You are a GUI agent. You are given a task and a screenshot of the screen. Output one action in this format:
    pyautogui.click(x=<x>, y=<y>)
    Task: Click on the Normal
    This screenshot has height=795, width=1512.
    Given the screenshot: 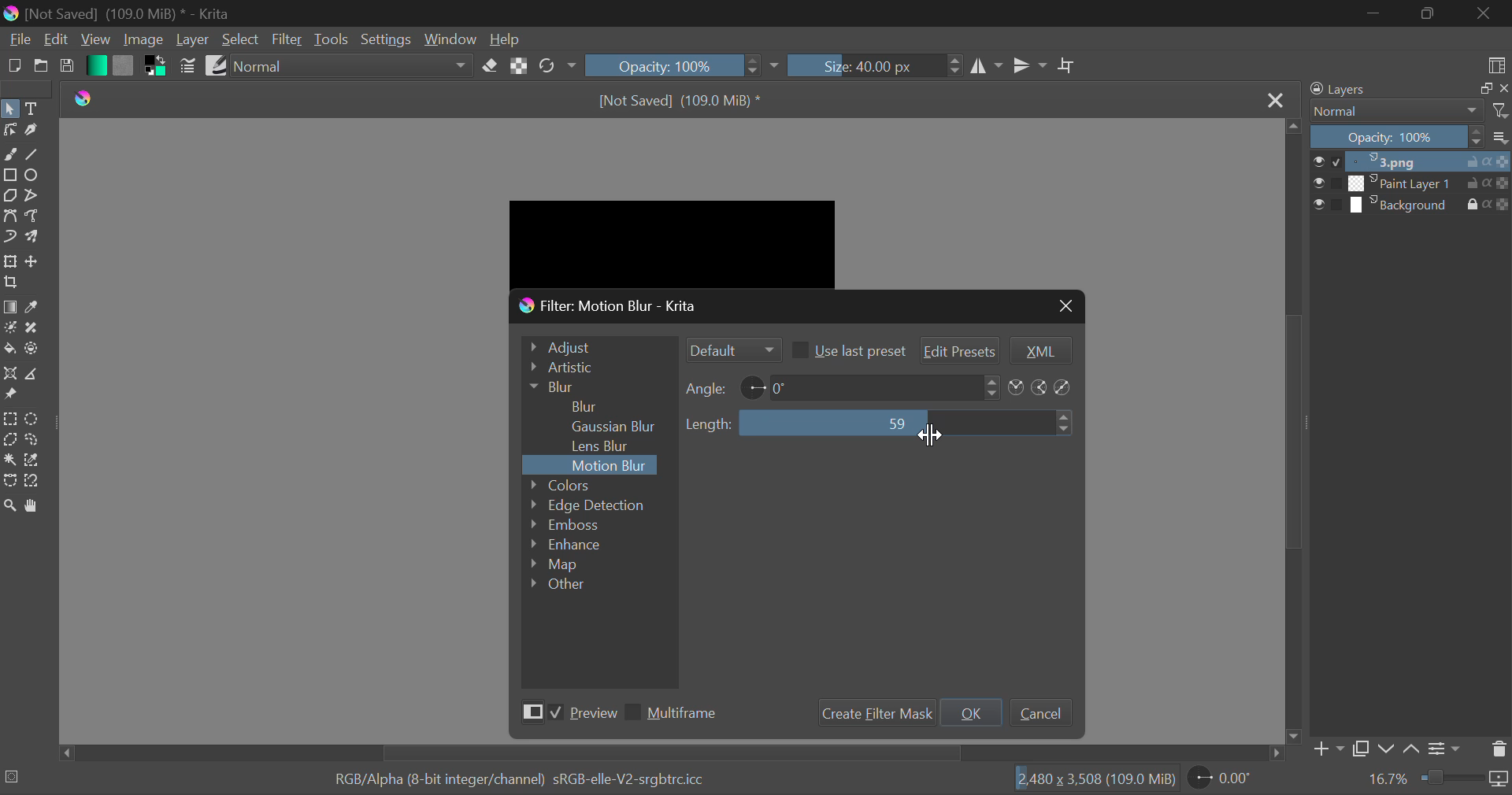 What is the action you would take?
    pyautogui.click(x=1408, y=111)
    